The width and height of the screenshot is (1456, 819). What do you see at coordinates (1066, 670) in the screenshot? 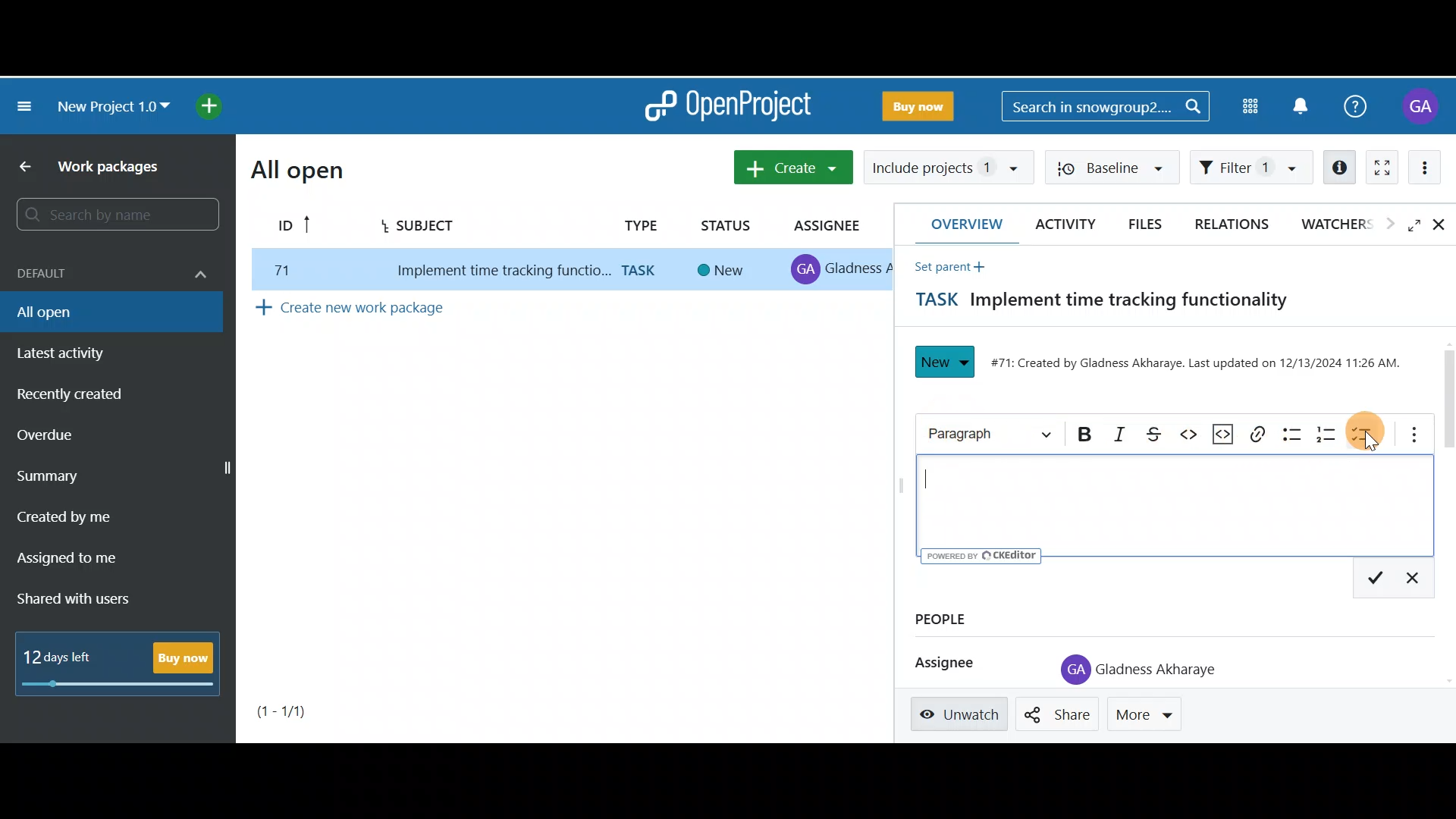
I see `profile icon` at bounding box center [1066, 670].